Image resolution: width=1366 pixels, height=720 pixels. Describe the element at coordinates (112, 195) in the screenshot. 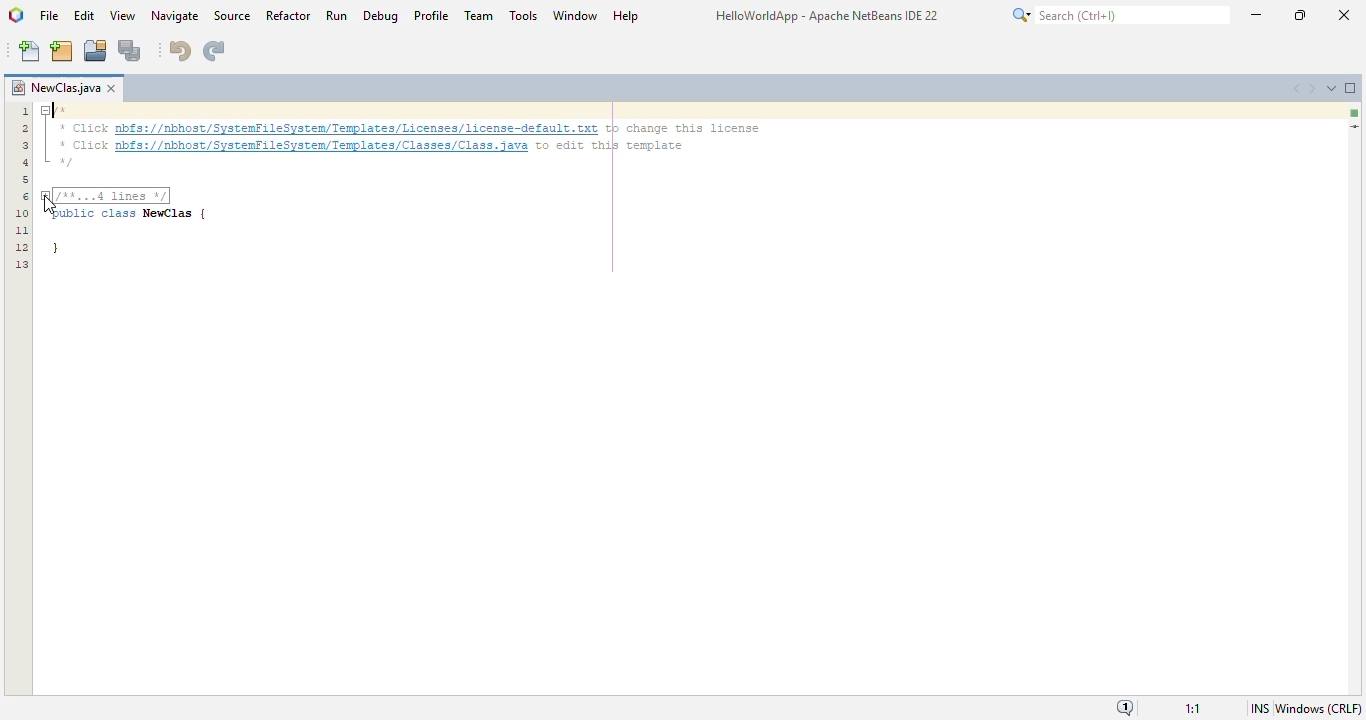

I see `/**... 4 lines */` at that location.